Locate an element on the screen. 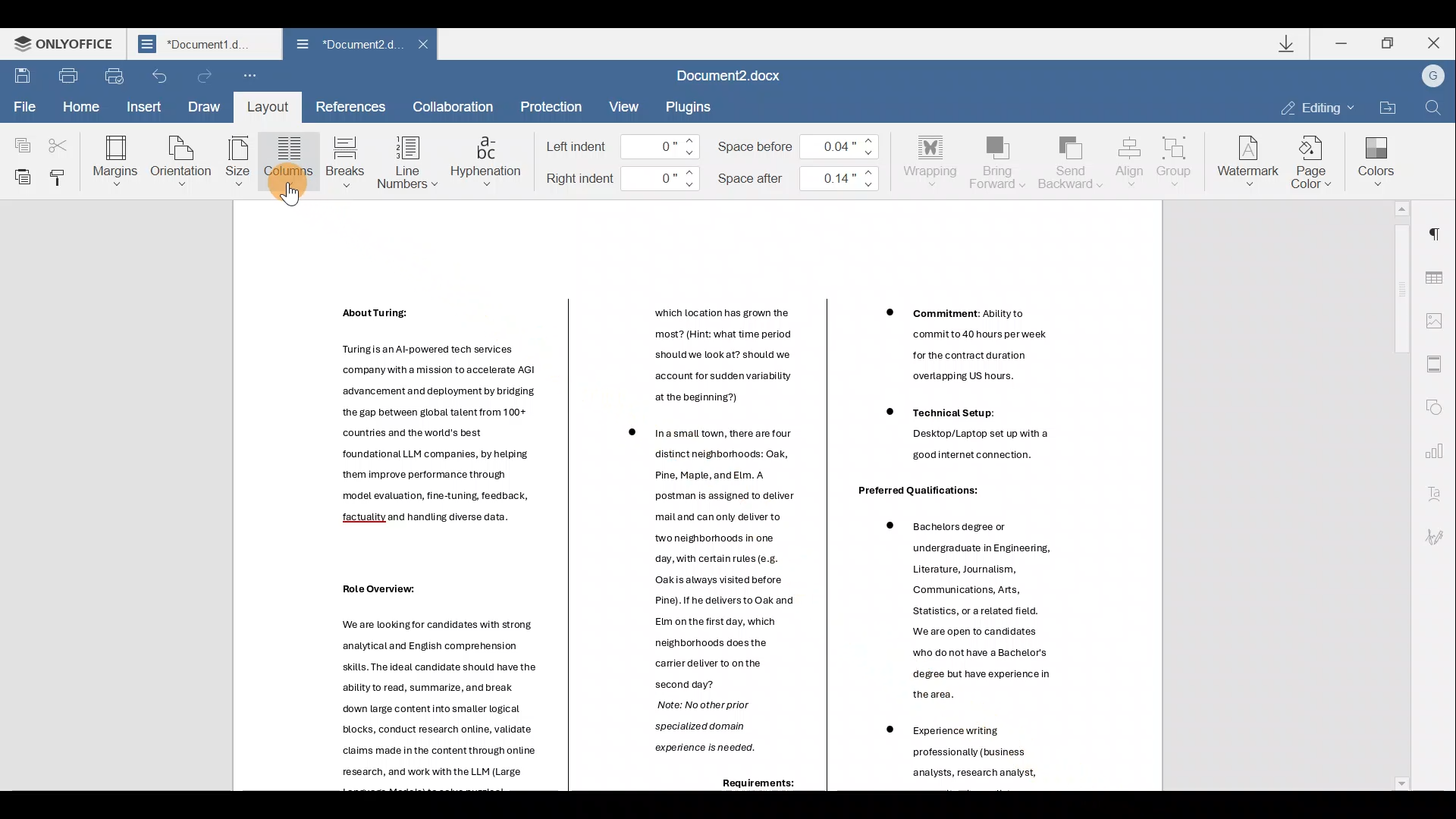   is located at coordinates (693, 738).